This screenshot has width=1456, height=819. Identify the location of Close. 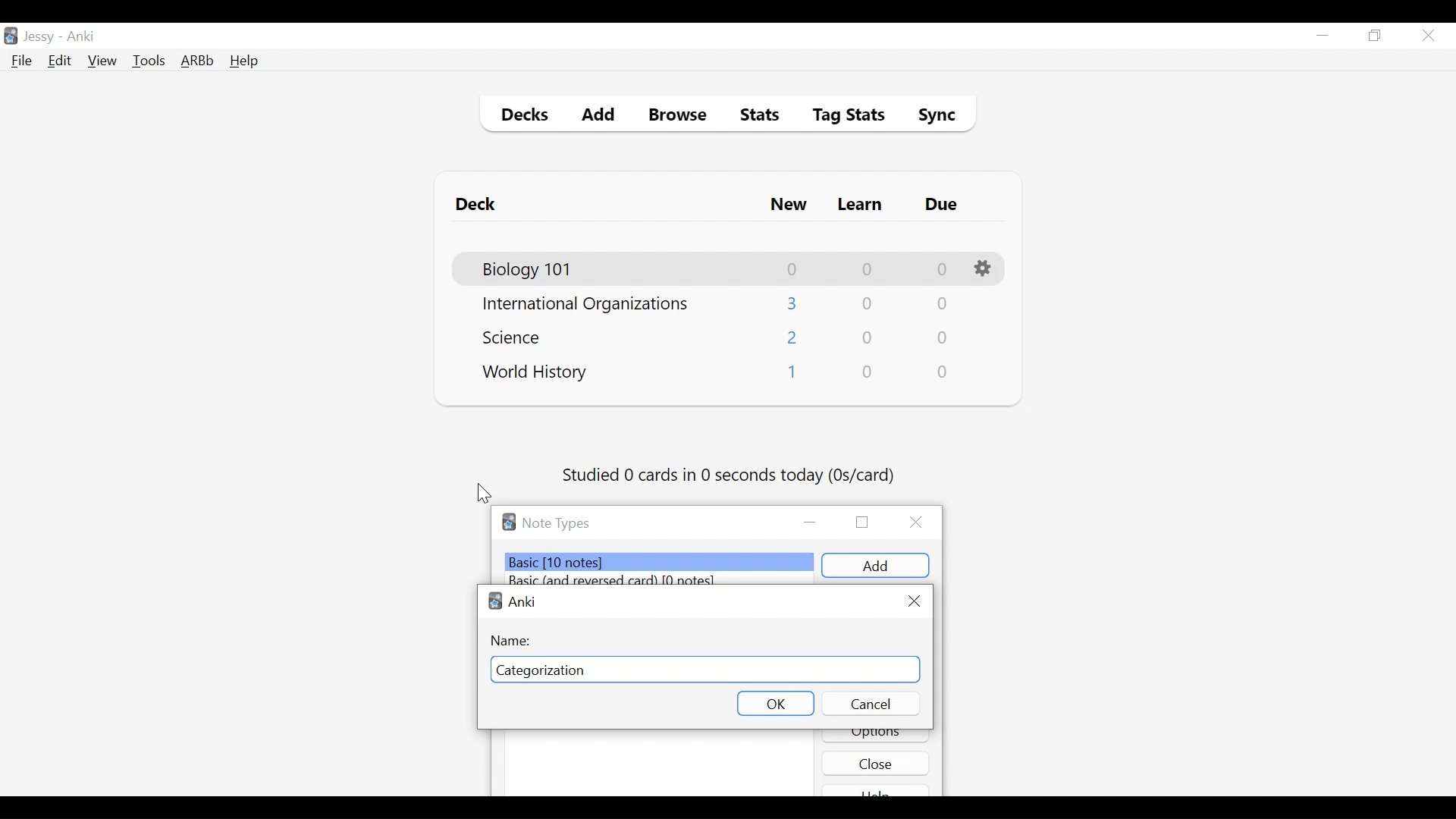
(920, 522).